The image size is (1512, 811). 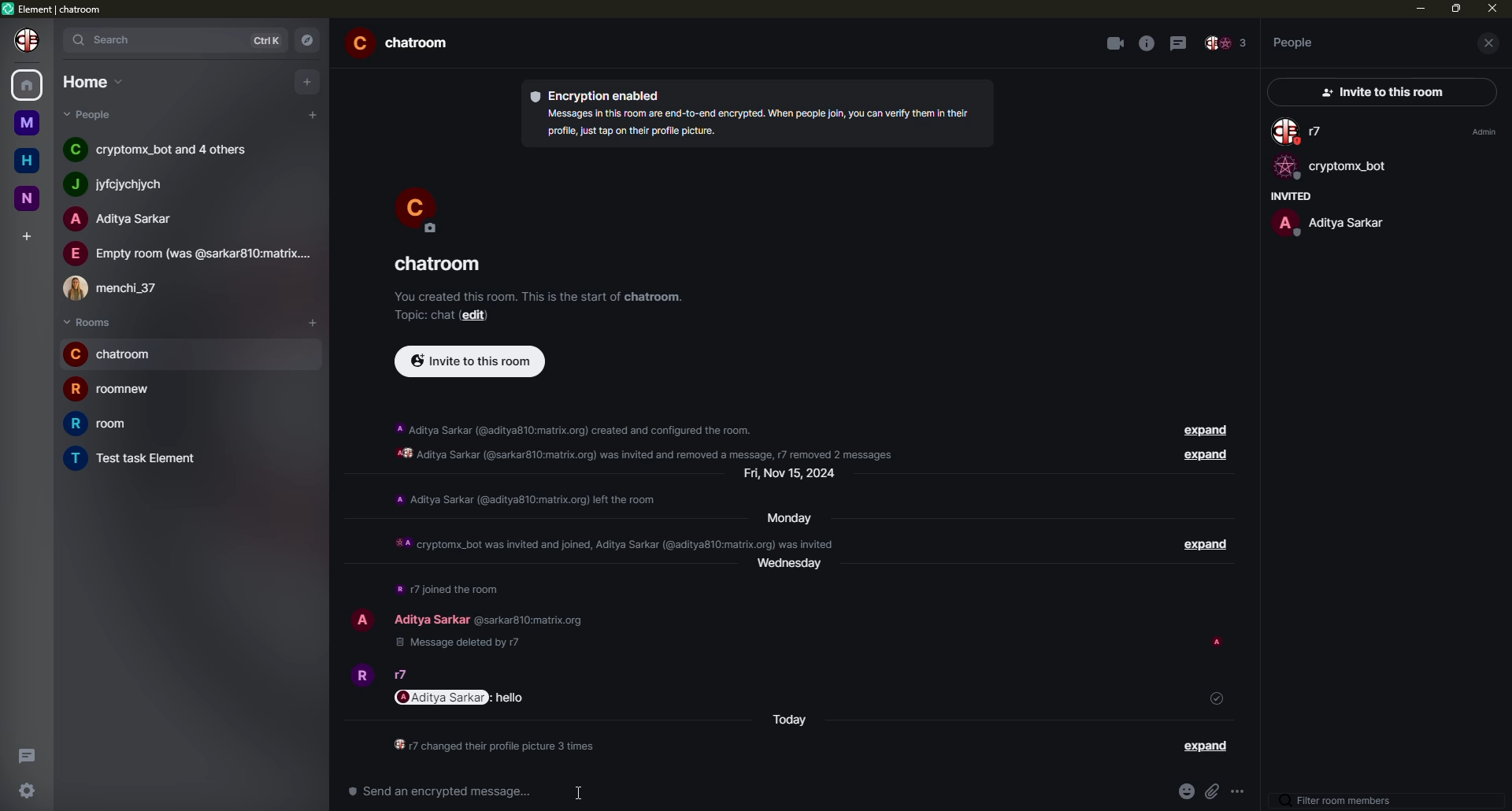 I want to click on admin, so click(x=1481, y=131).